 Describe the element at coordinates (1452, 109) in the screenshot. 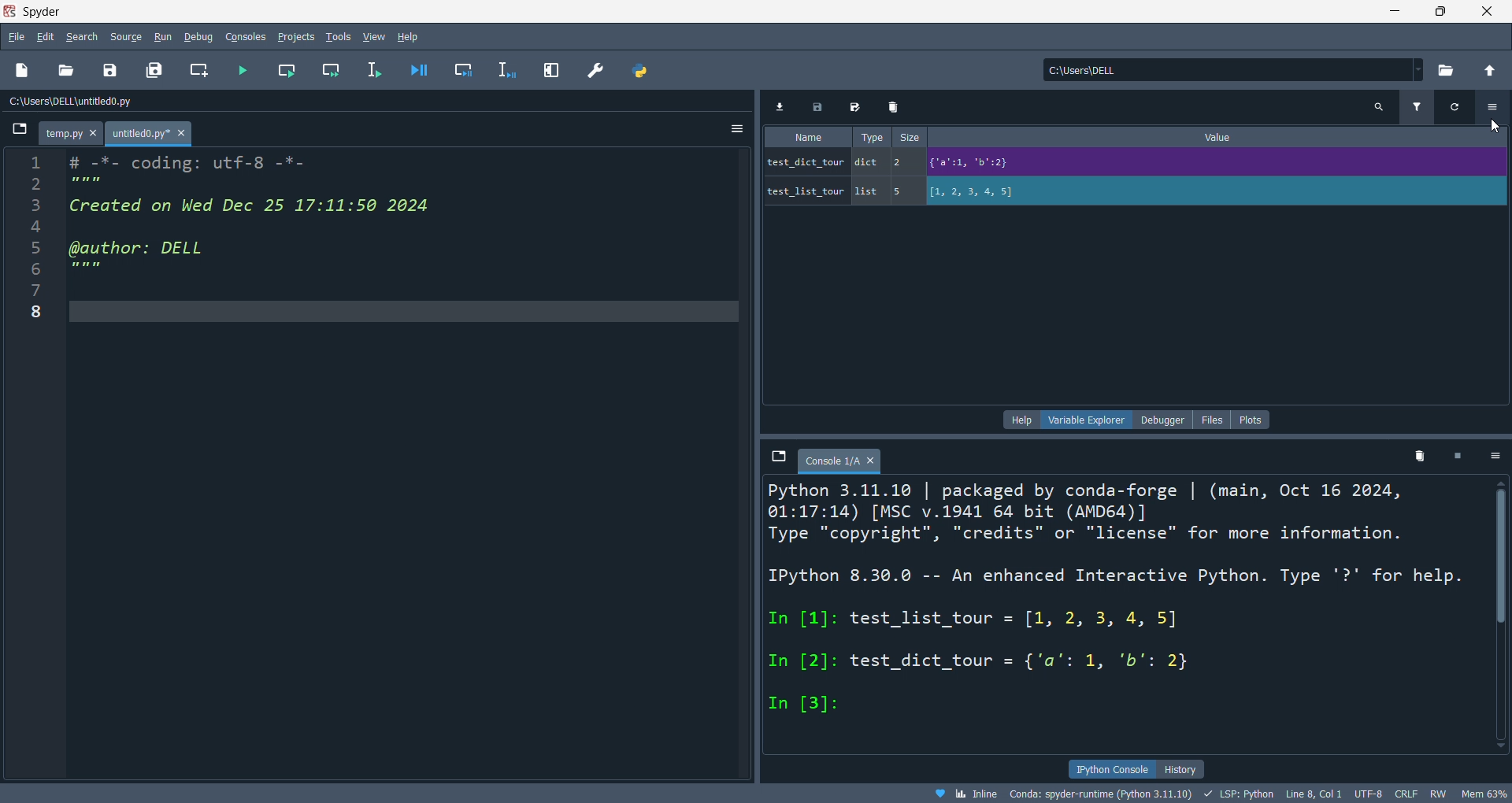

I see `refresh` at that location.